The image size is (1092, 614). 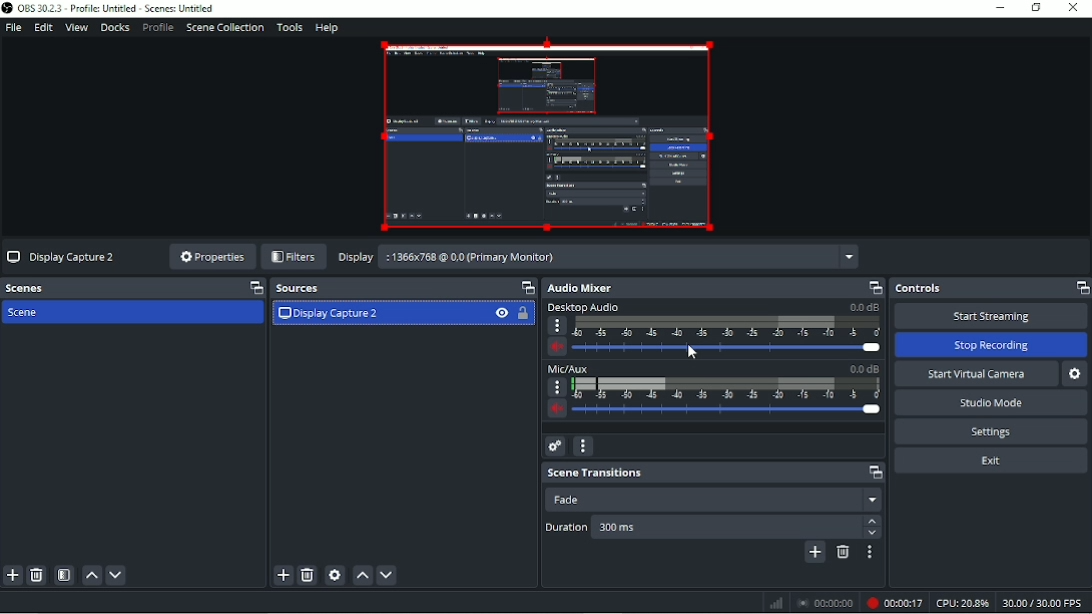 I want to click on Lock, so click(x=524, y=314).